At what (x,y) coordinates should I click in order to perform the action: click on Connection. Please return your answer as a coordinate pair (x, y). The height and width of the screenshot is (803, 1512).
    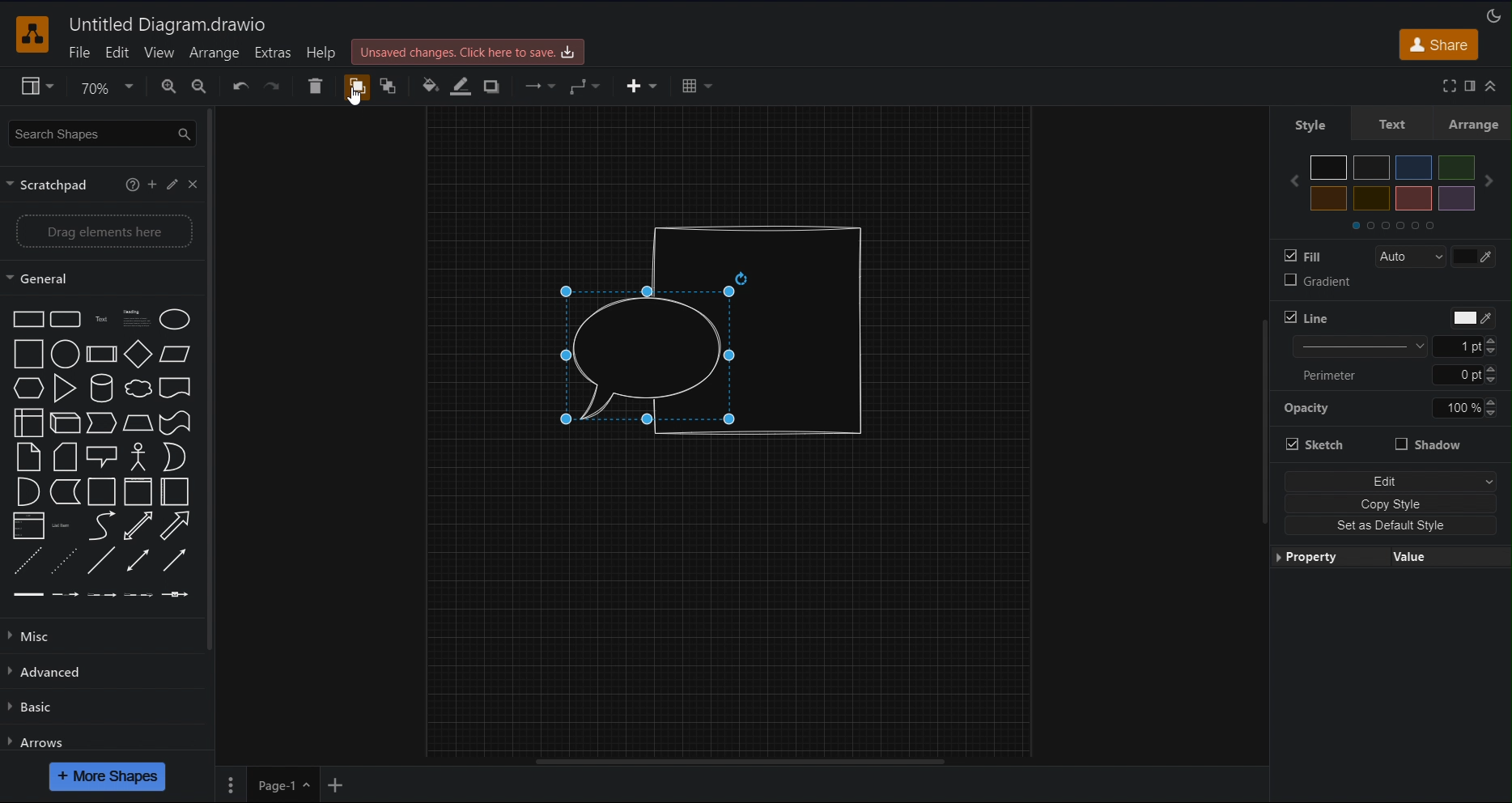
    Looking at the image, I should click on (540, 86).